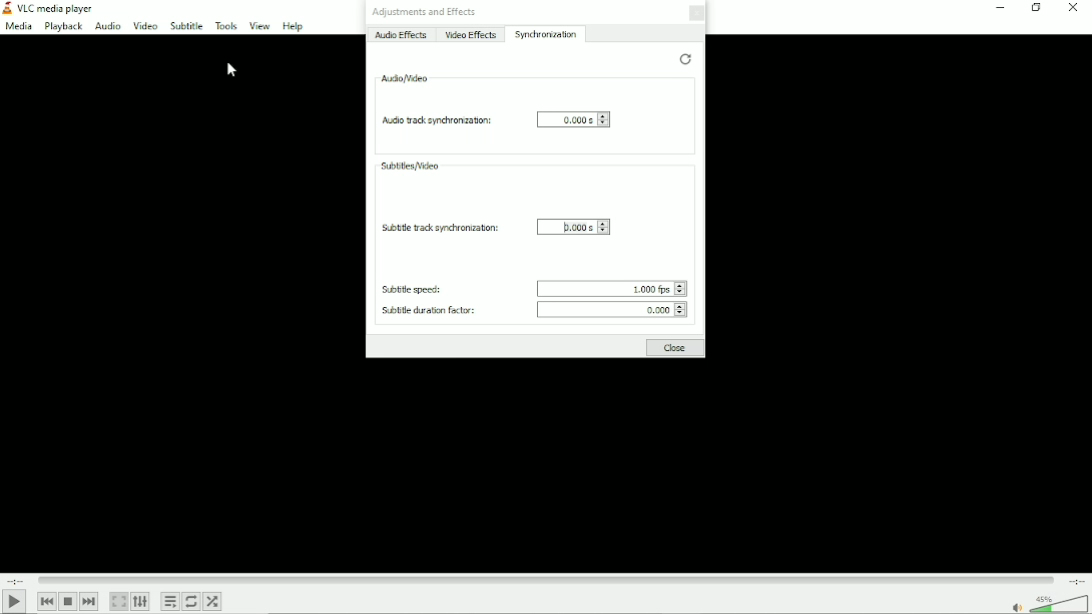  I want to click on Close, so click(675, 348).